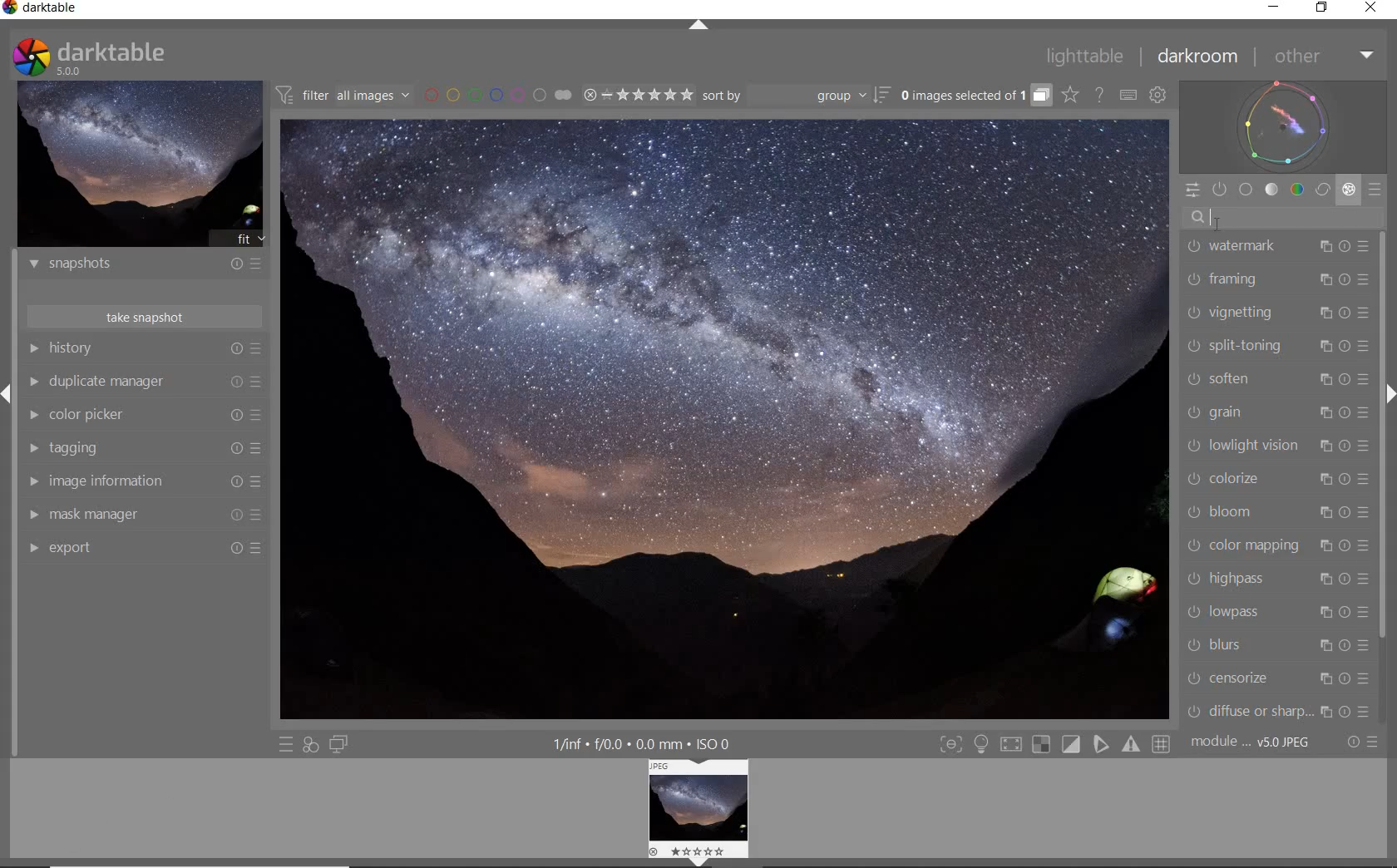  Describe the element at coordinates (1098, 95) in the screenshot. I see `HELP ONLINE` at that location.